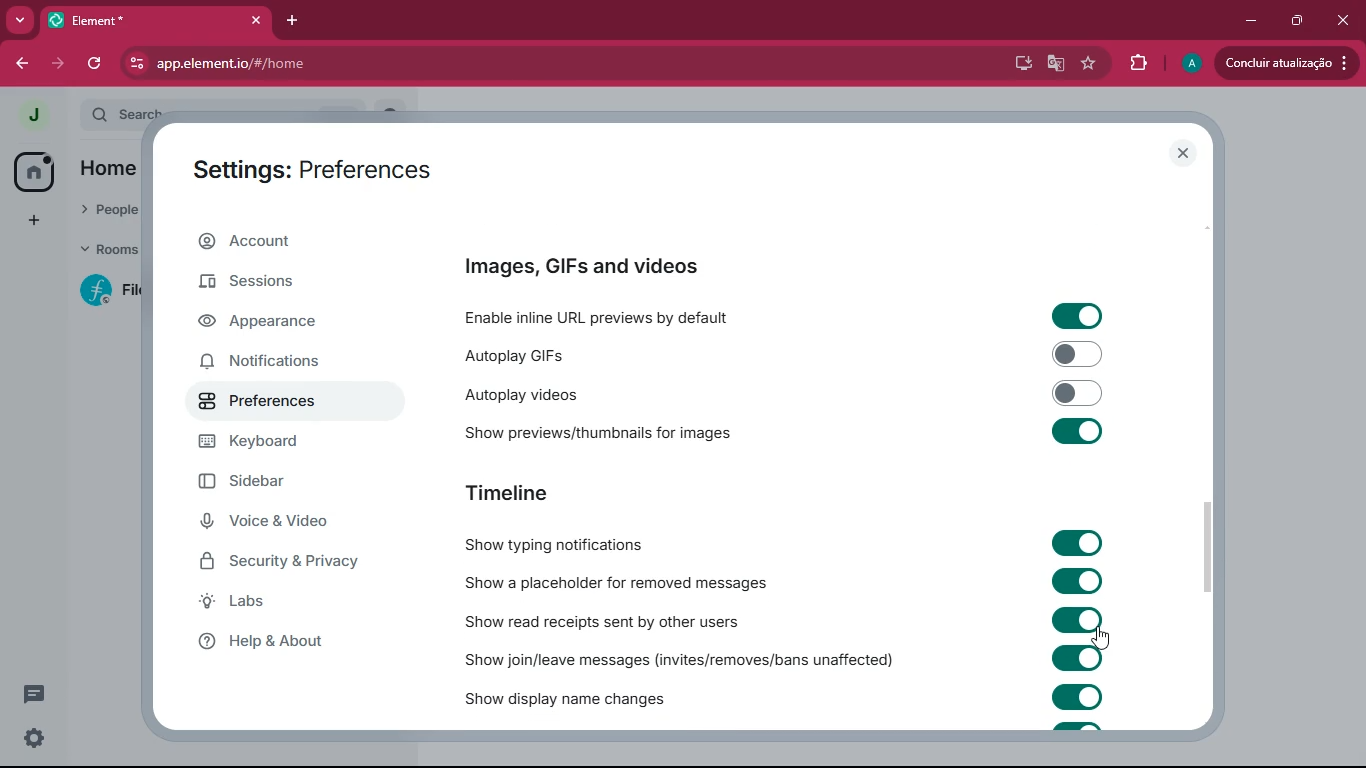  I want to click on back, so click(24, 64).